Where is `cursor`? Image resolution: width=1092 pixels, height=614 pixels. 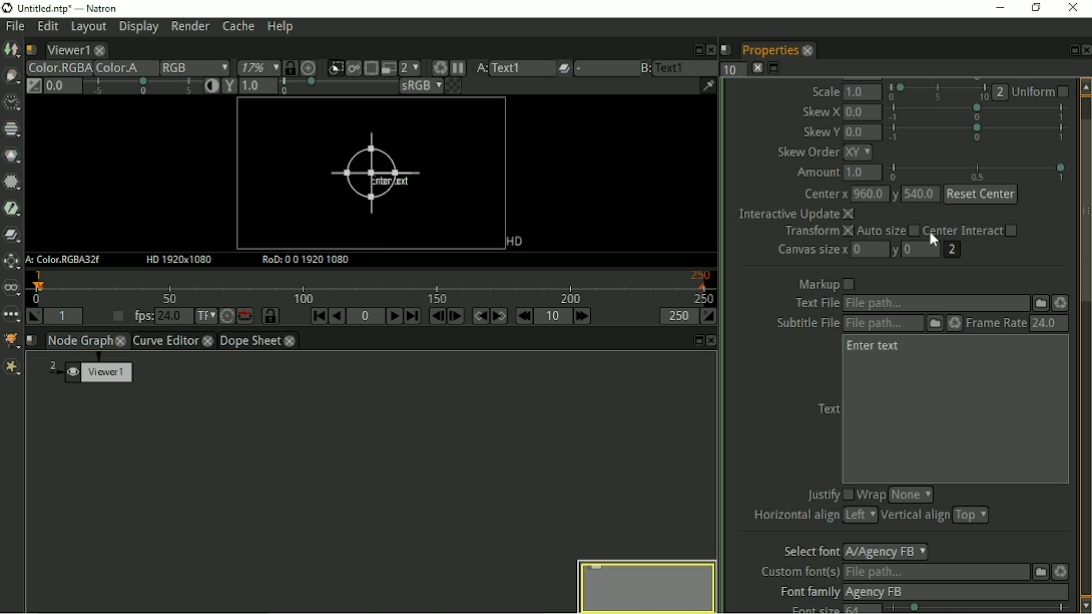
cursor is located at coordinates (934, 240).